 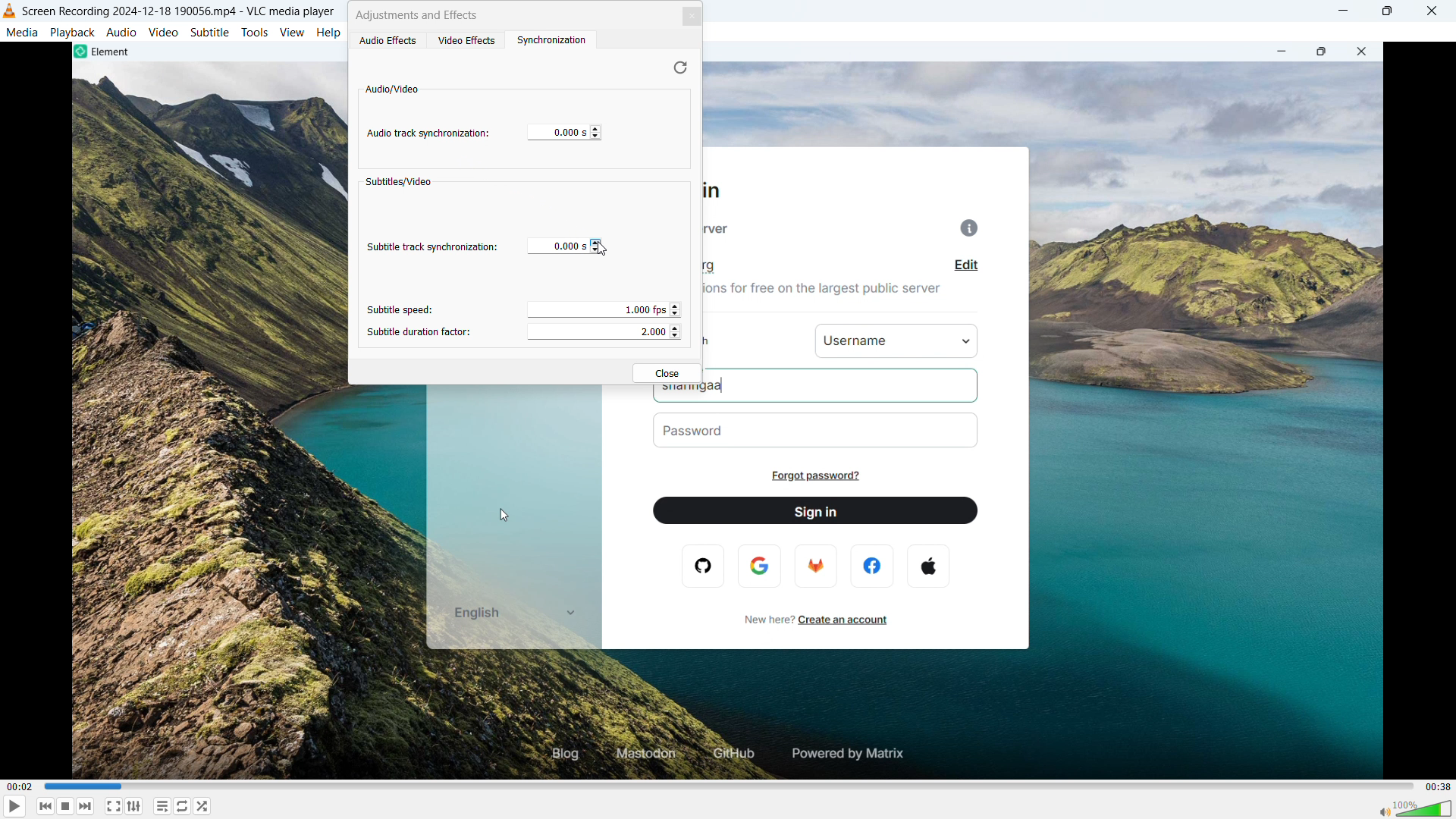 I want to click on click to change track synchronization, so click(x=595, y=132).